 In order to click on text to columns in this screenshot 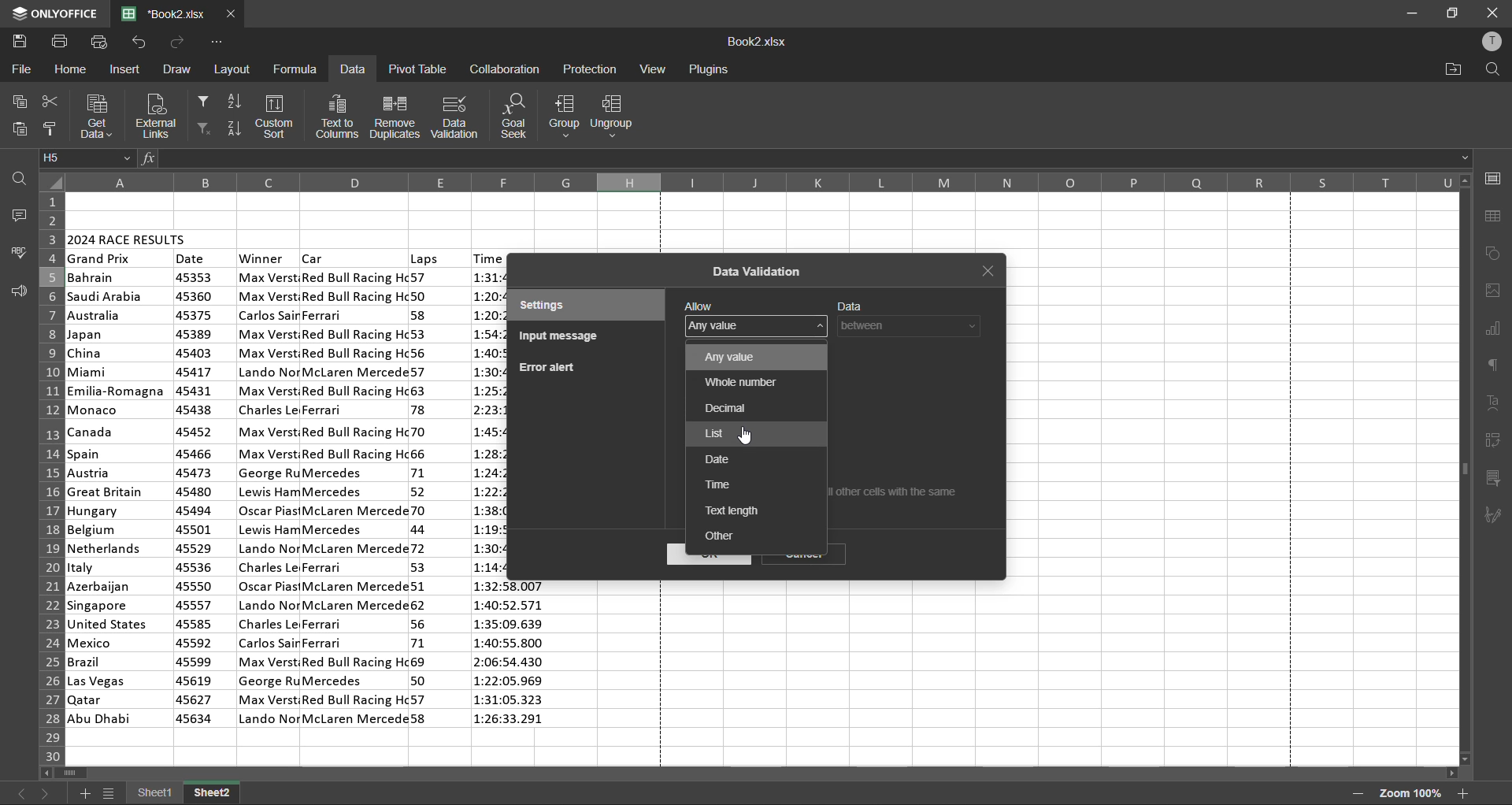, I will do `click(339, 117)`.